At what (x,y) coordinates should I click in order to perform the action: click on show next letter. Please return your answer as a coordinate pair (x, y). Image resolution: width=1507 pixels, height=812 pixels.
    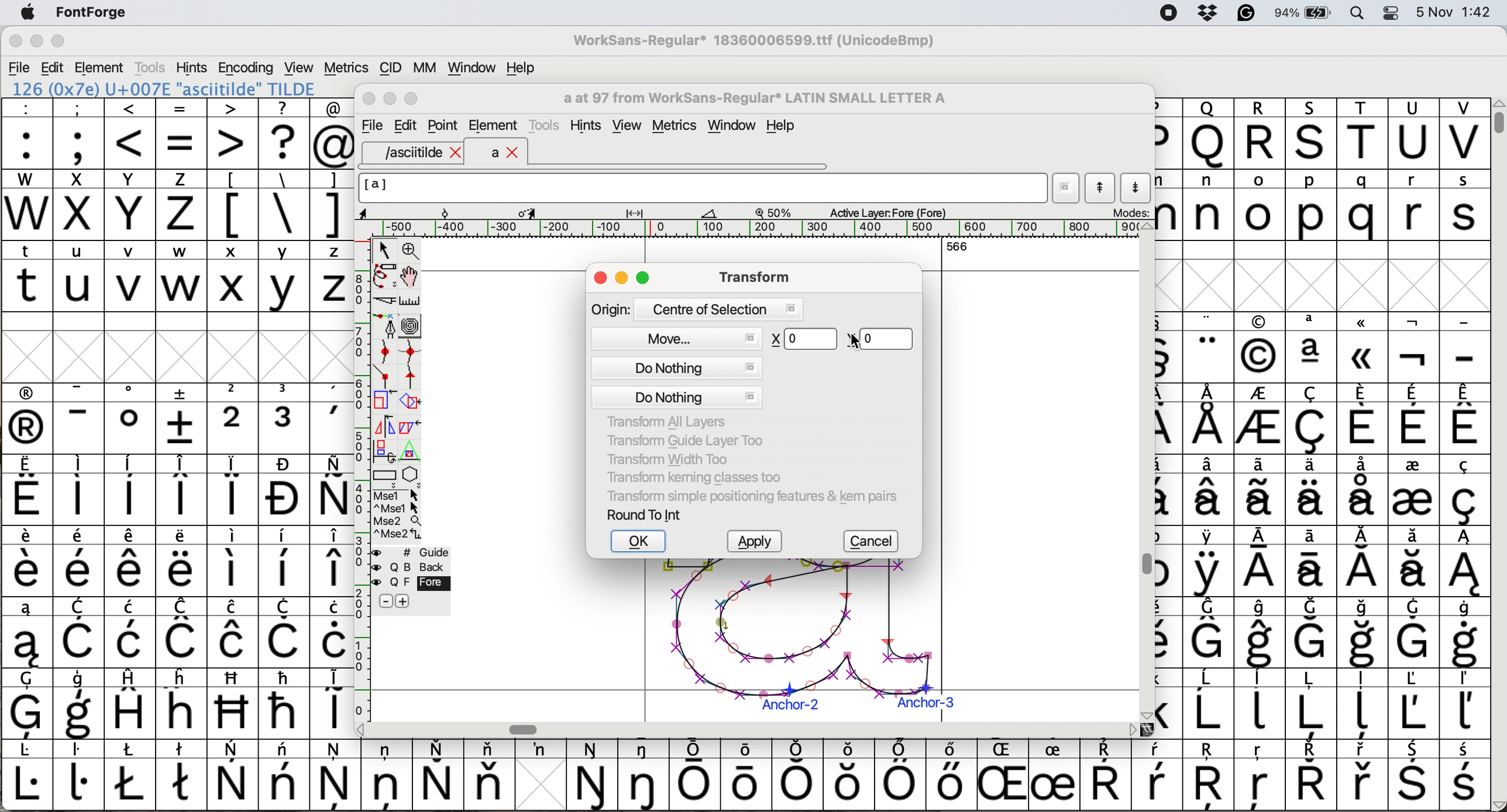
    Looking at the image, I should click on (1138, 187).